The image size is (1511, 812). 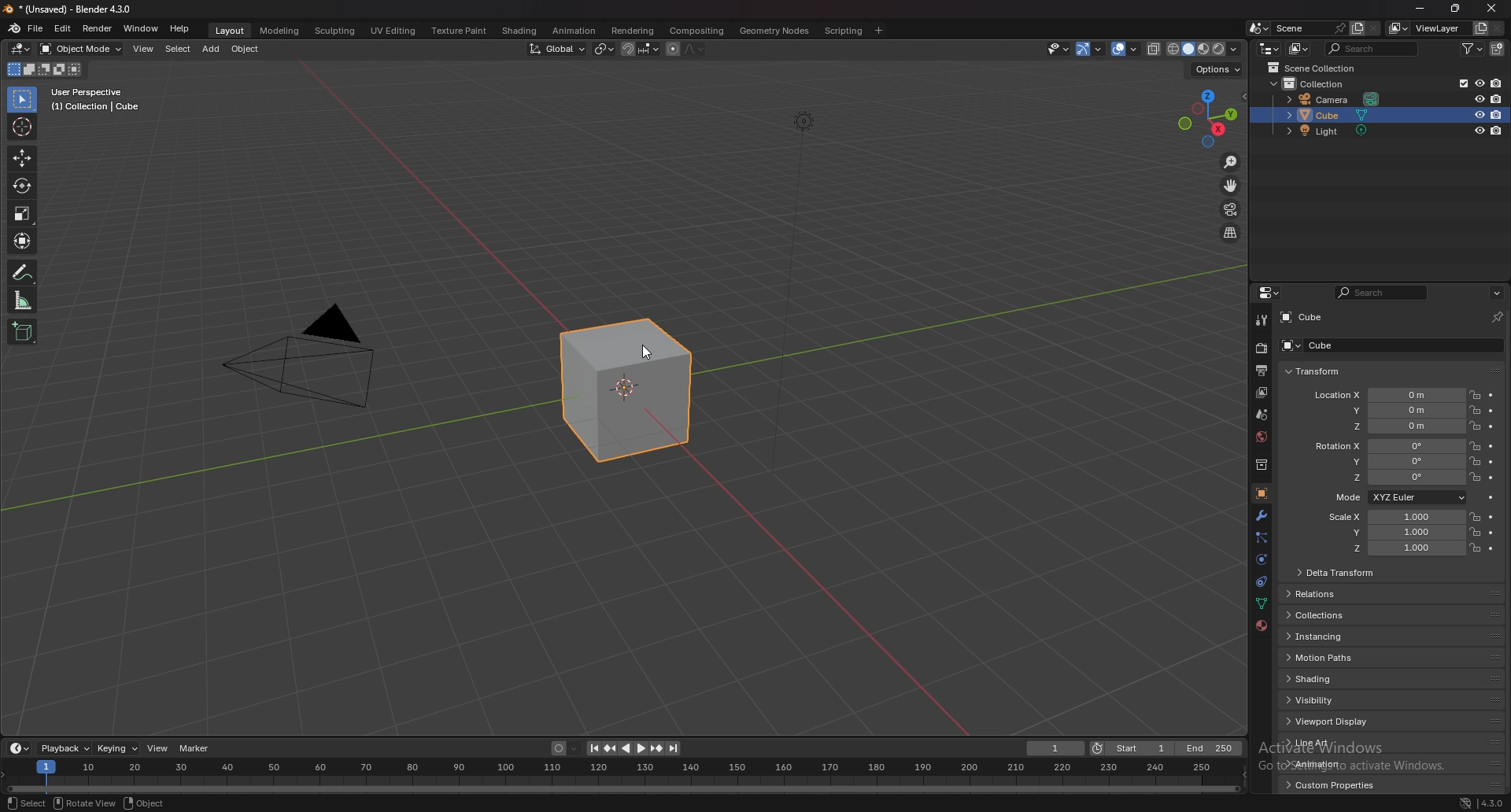 What do you see at coordinates (21, 125) in the screenshot?
I see `cursor` at bounding box center [21, 125].